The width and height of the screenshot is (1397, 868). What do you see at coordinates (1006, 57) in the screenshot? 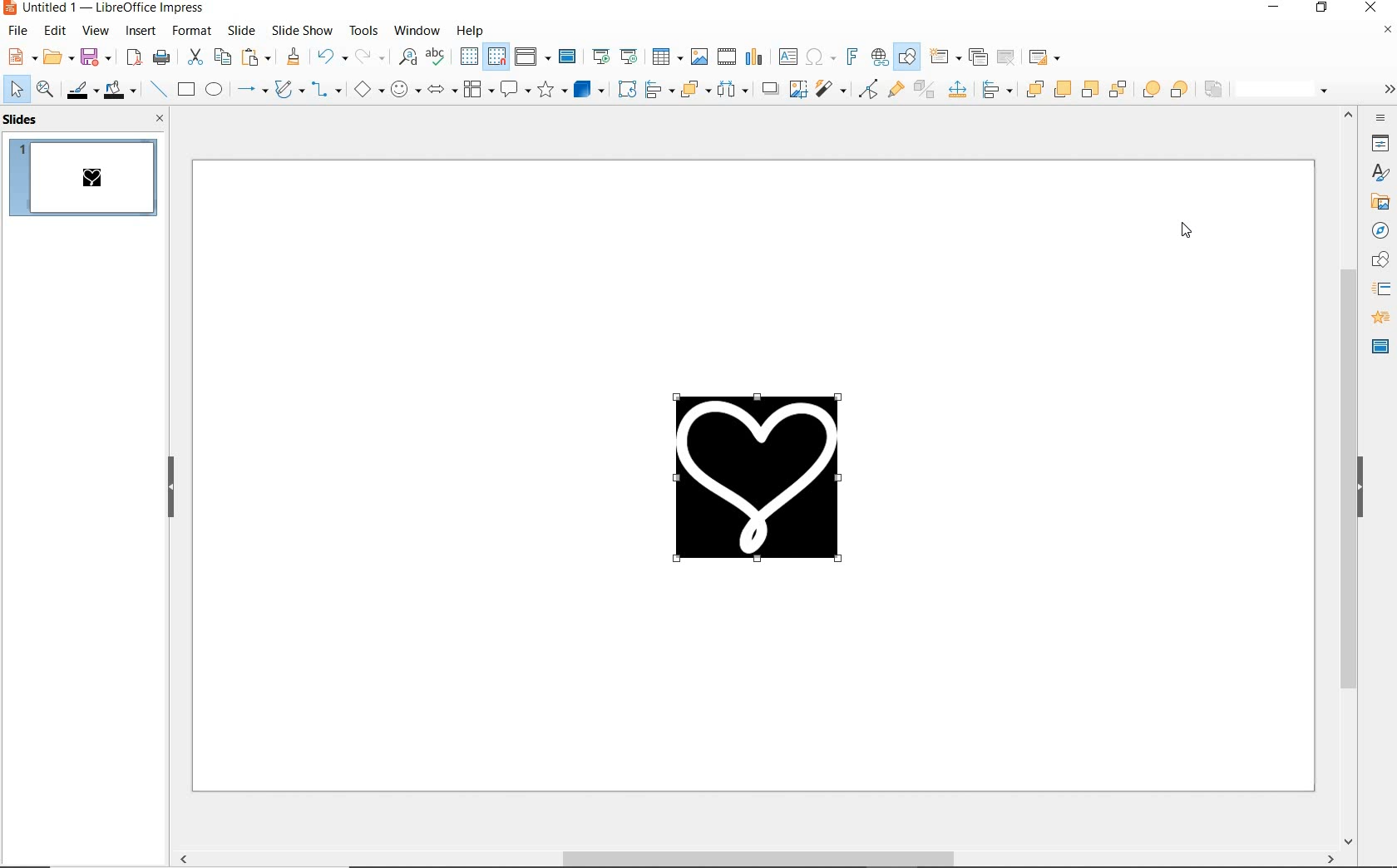
I see `delete slide` at bounding box center [1006, 57].